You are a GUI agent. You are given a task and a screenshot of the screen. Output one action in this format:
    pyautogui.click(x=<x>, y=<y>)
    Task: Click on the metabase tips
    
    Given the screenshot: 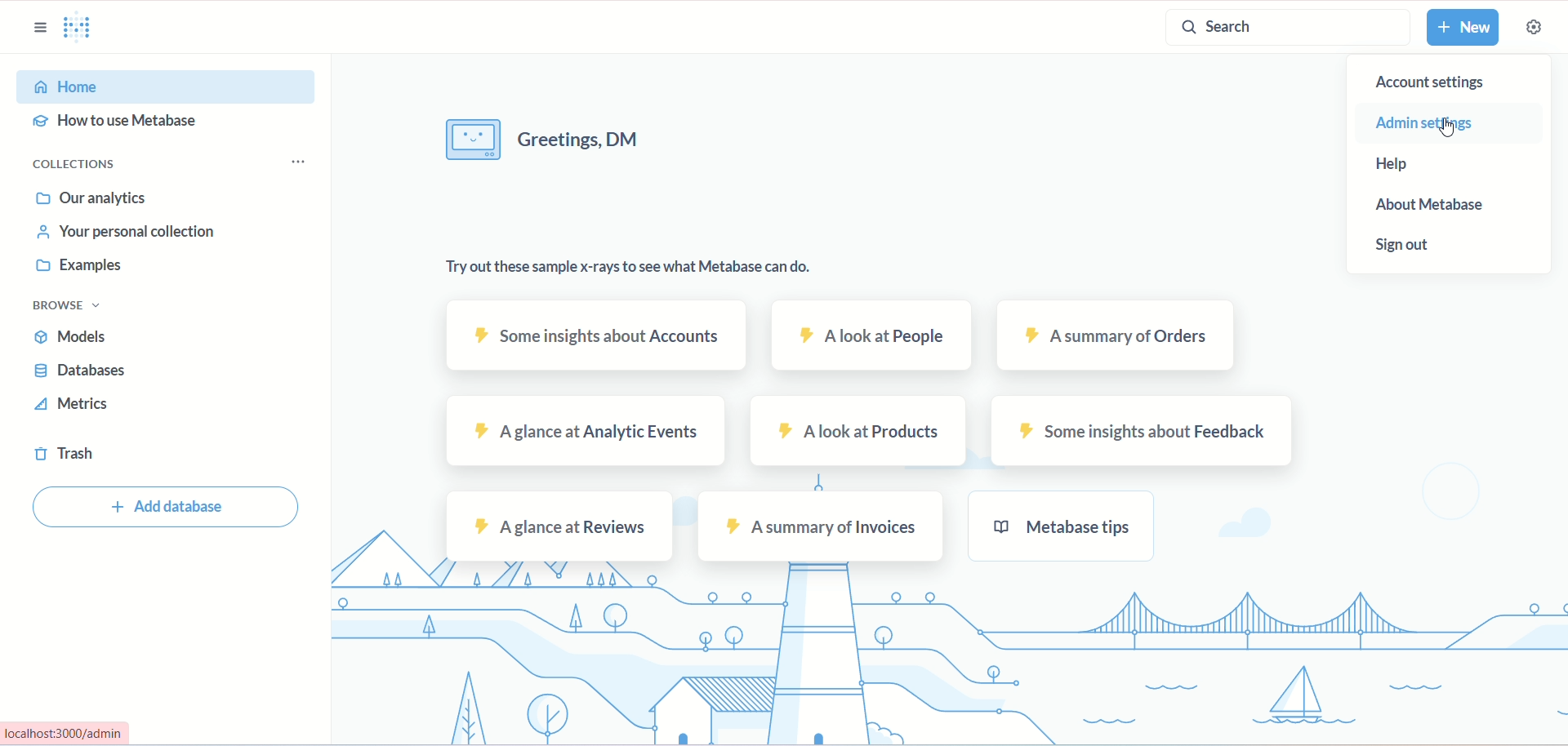 What is the action you would take?
    pyautogui.click(x=1067, y=526)
    